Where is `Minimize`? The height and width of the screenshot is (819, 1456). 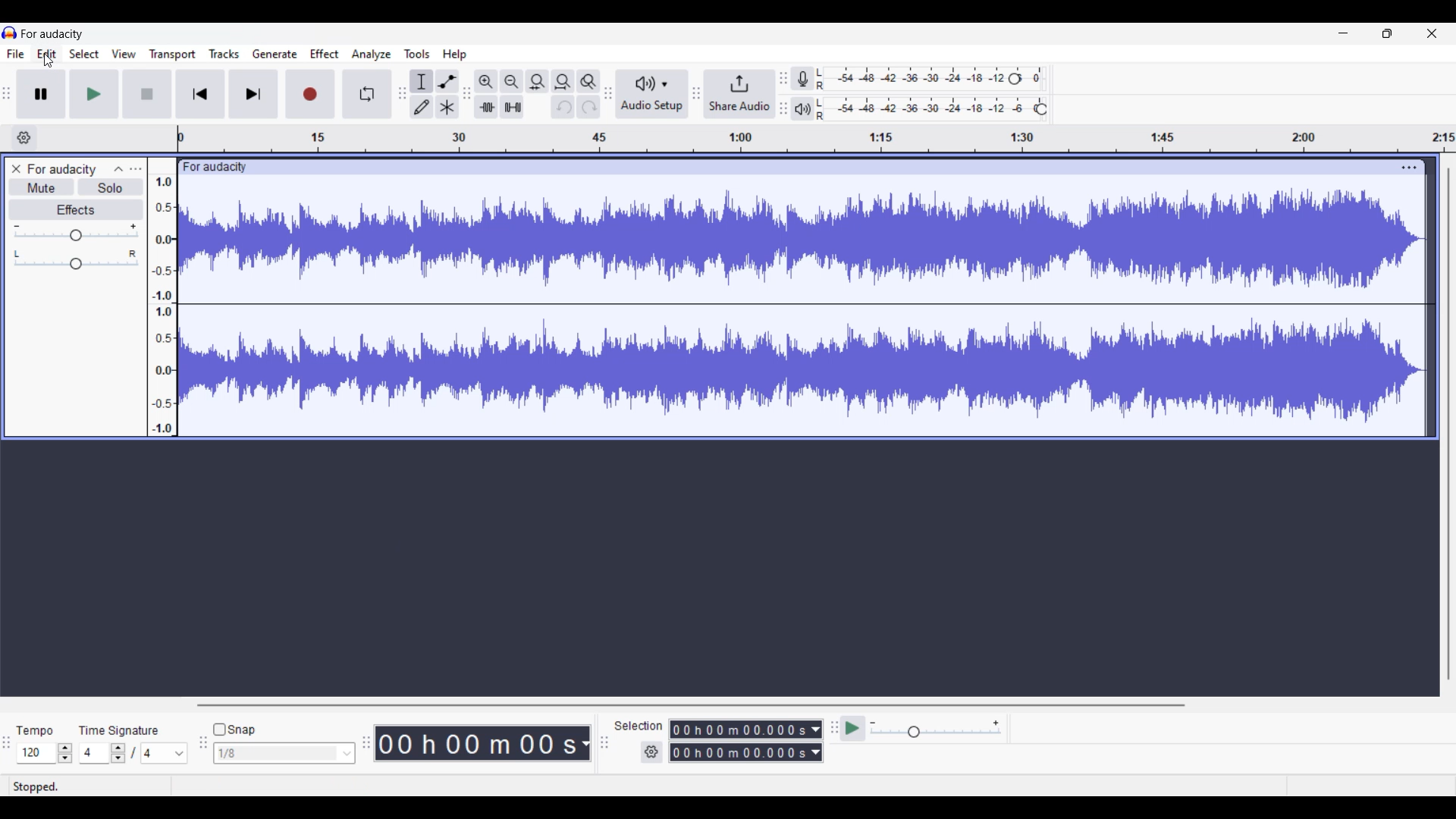
Minimize is located at coordinates (1344, 33).